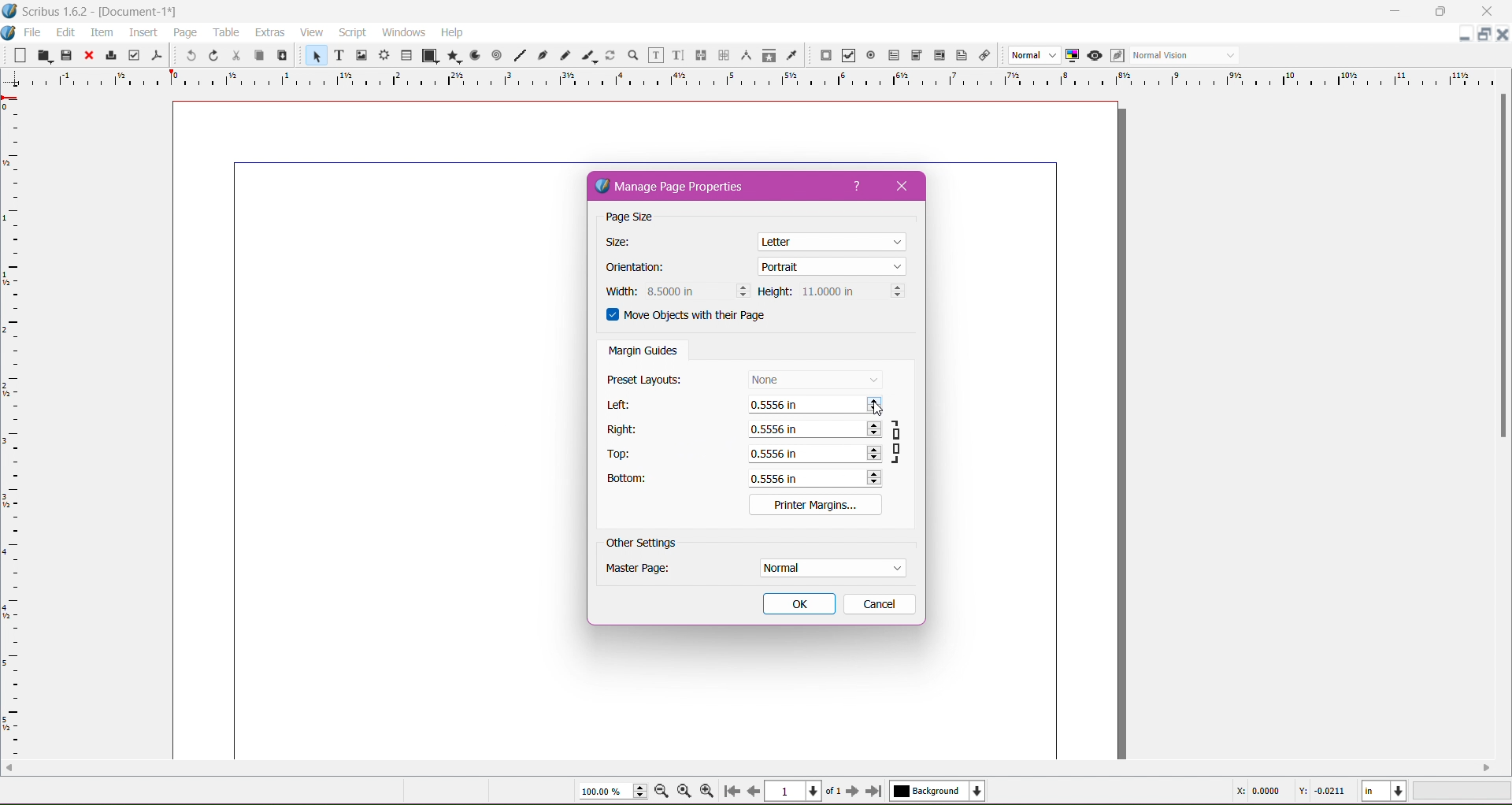 The image size is (1512, 805). What do you see at coordinates (643, 218) in the screenshot?
I see `Page Size` at bounding box center [643, 218].